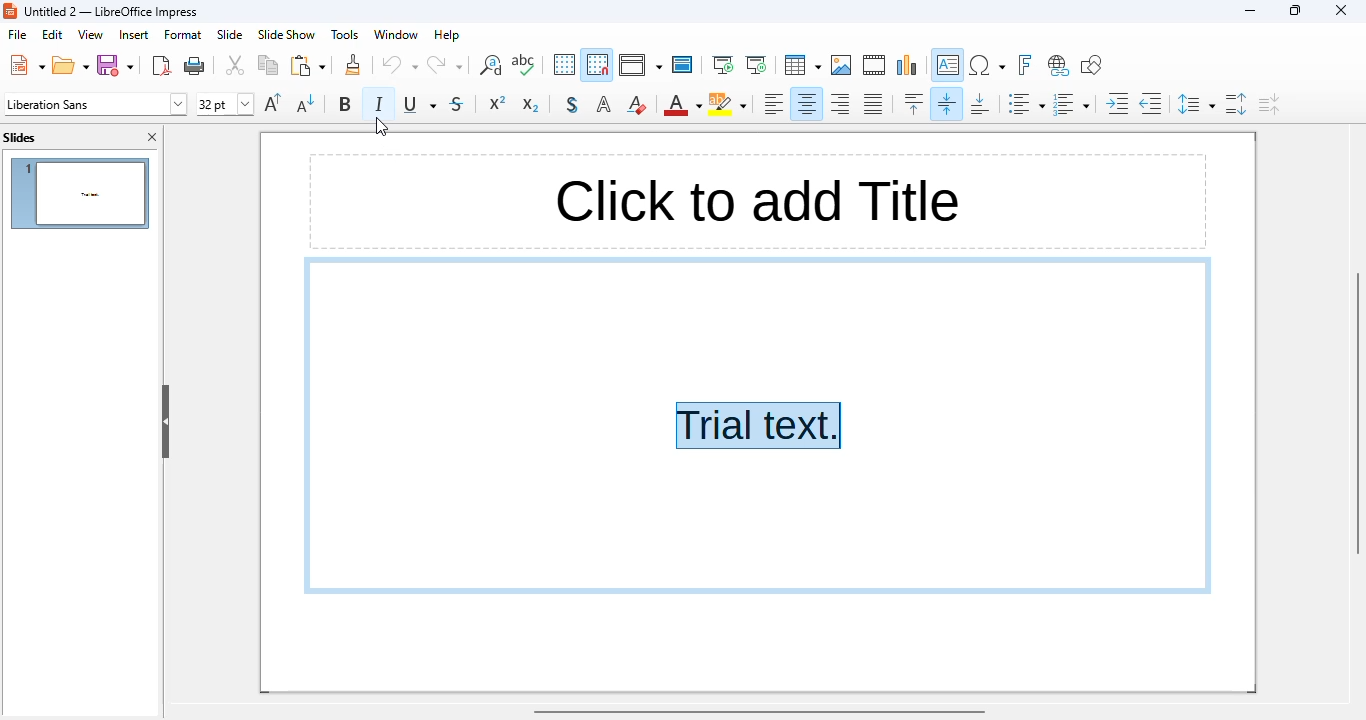  Describe the element at coordinates (378, 103) in the screenshot. I see `italic` at that location.